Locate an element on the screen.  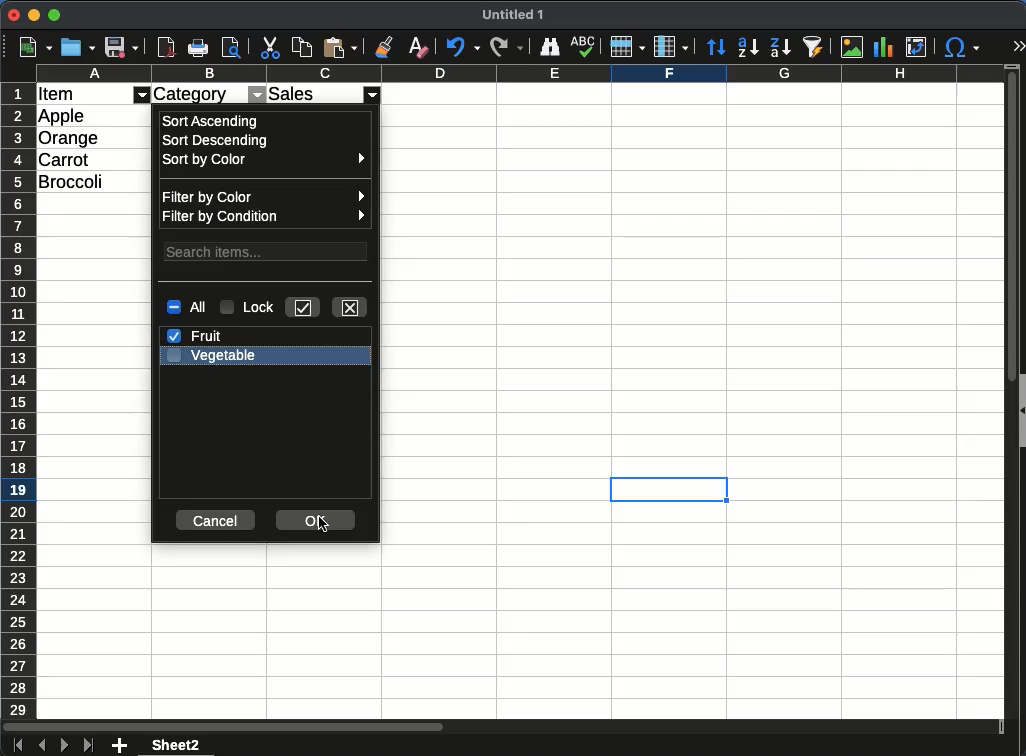
special character is located at coordinates (963, 49).